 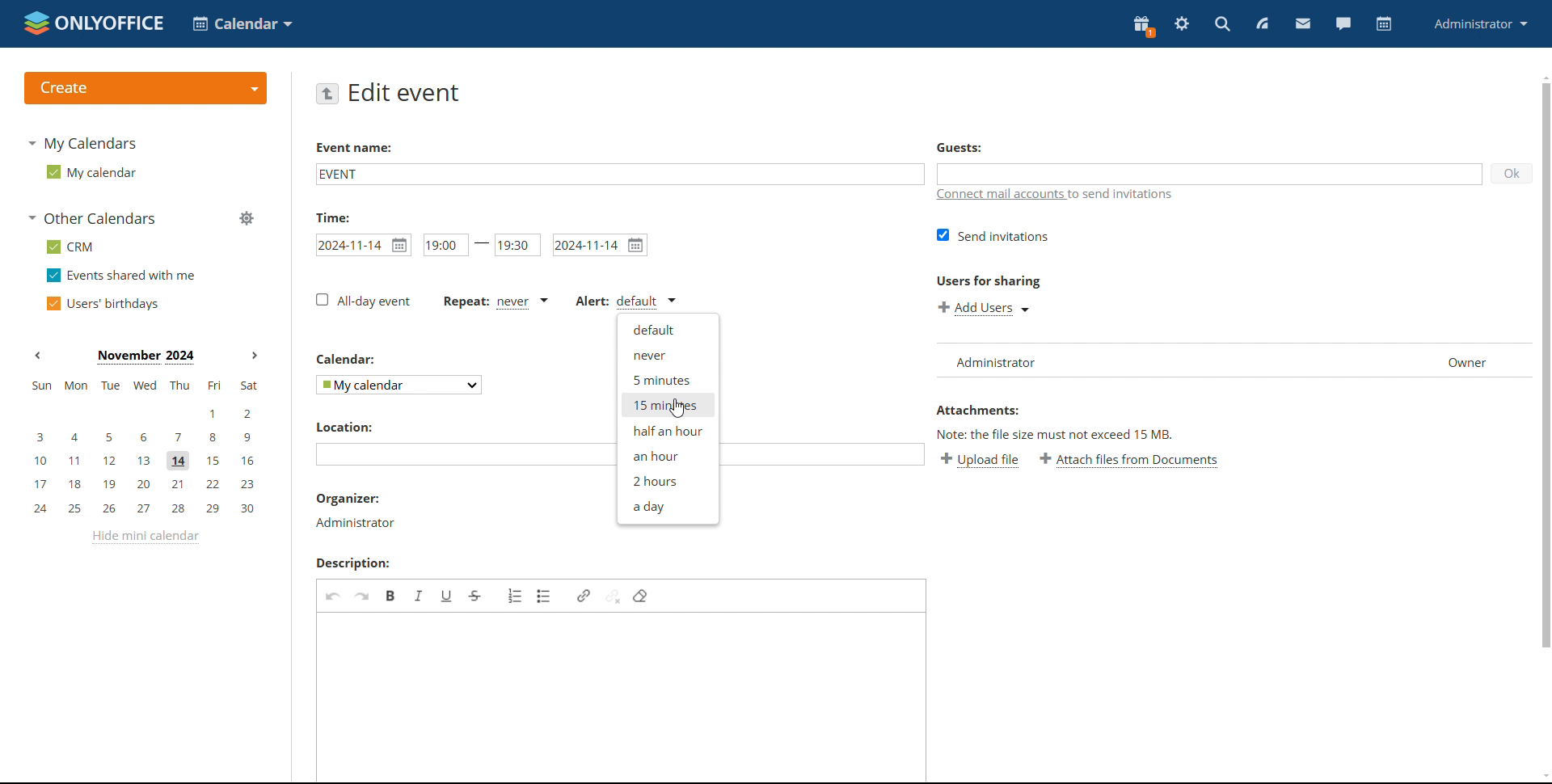 What do you see at coordinates (666, 480) in the screenshot?
I see `2 hours` at bounding box center [666, 480].